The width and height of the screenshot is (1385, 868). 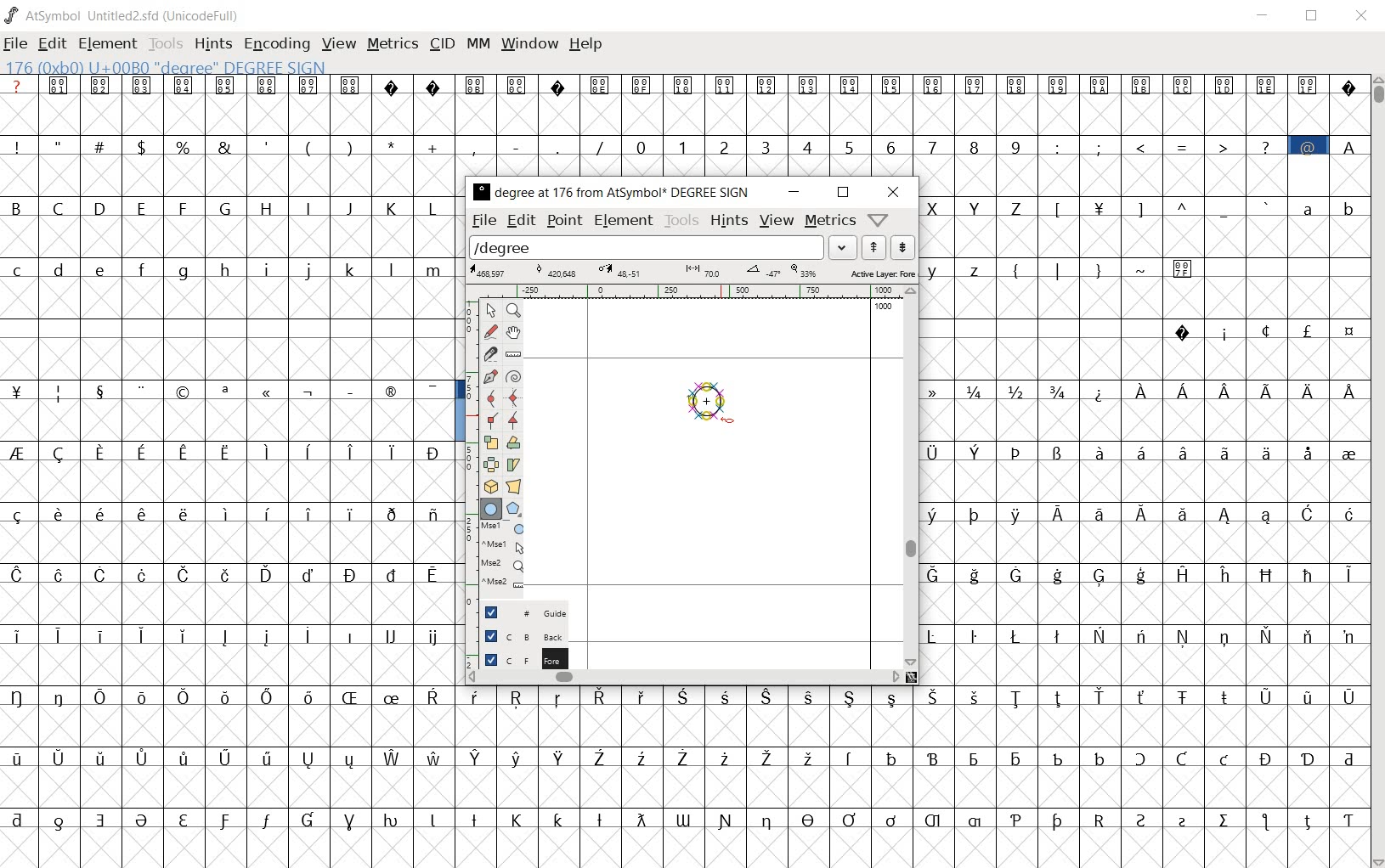 What do you see at coordinates (393, 45) in the screenshot?
I see `metrics` at bounding box center [393, 45].